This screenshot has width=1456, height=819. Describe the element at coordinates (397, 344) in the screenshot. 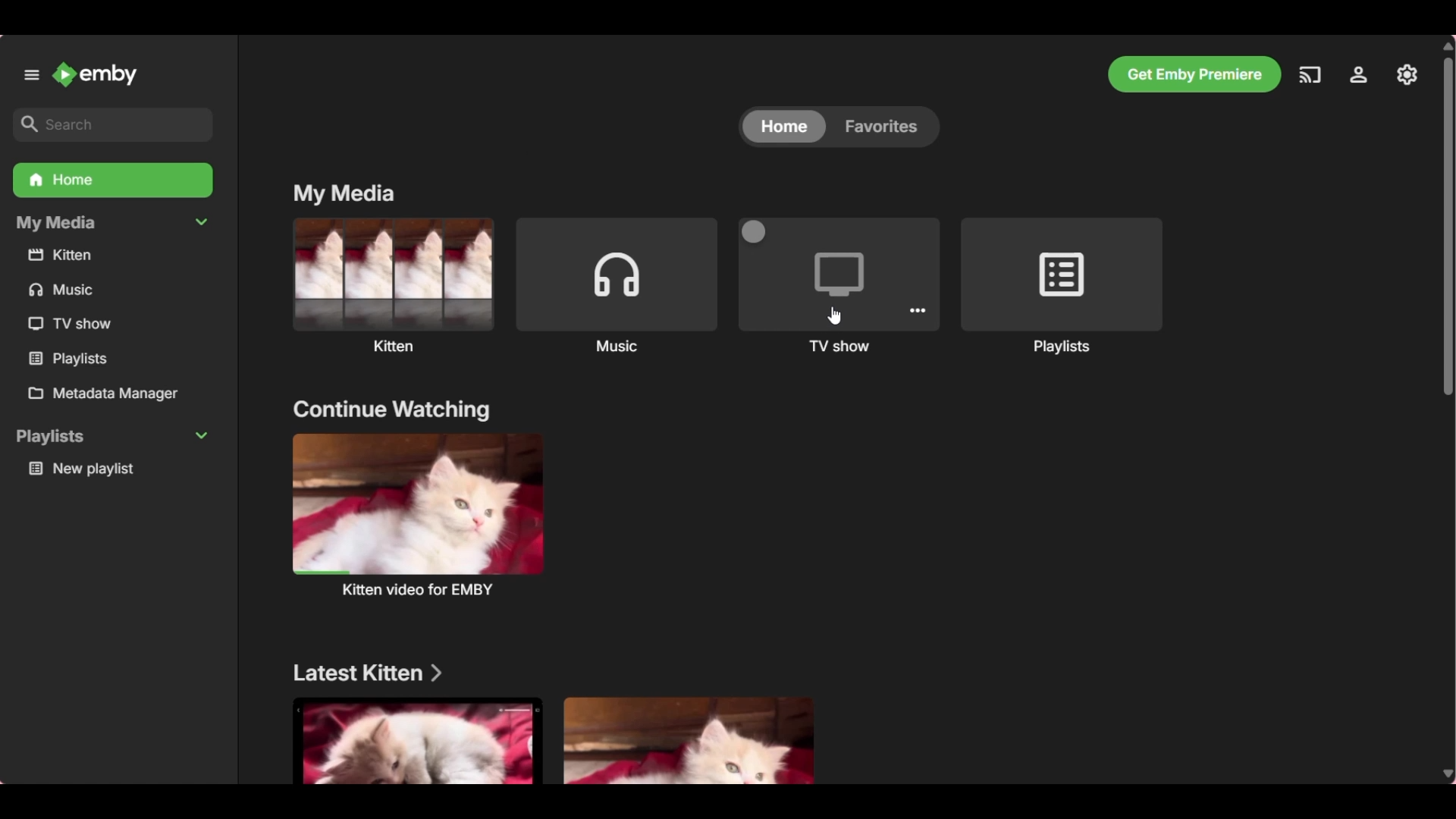

I see `text` at that location.